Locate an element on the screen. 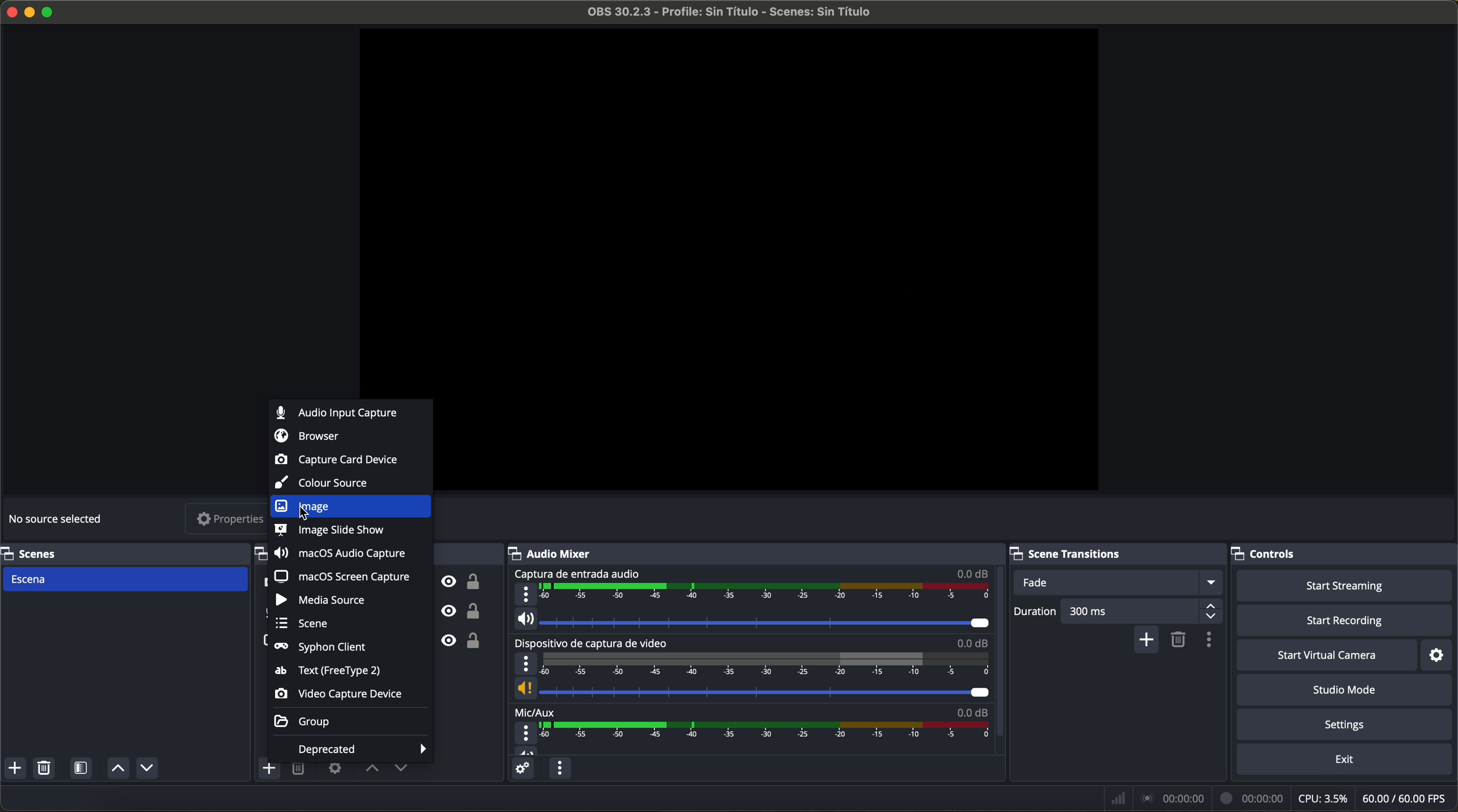  move scene down is located at coordinates (147, 770).